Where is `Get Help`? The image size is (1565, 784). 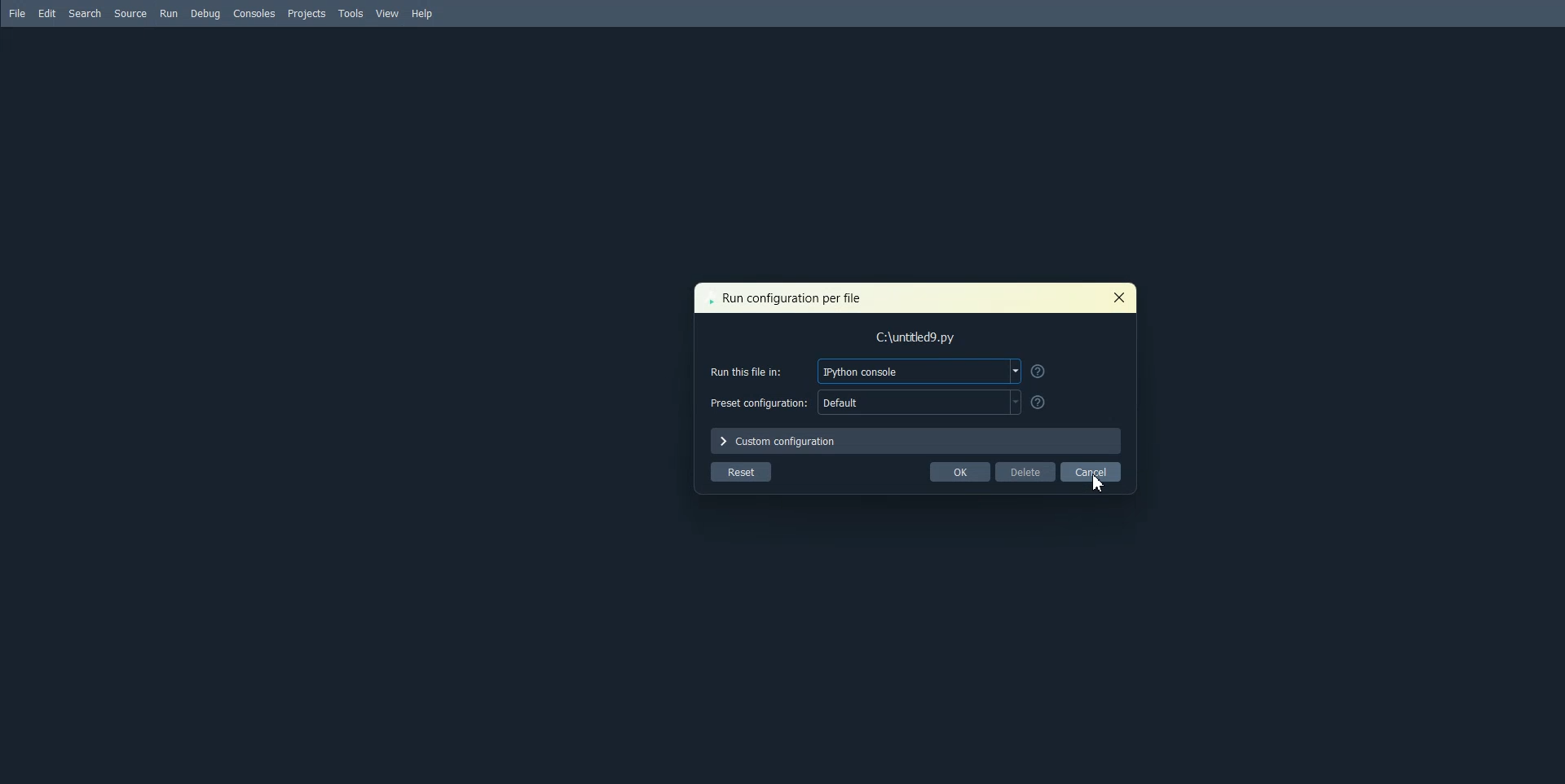 Get Help is located at coordinates (1038, 371).